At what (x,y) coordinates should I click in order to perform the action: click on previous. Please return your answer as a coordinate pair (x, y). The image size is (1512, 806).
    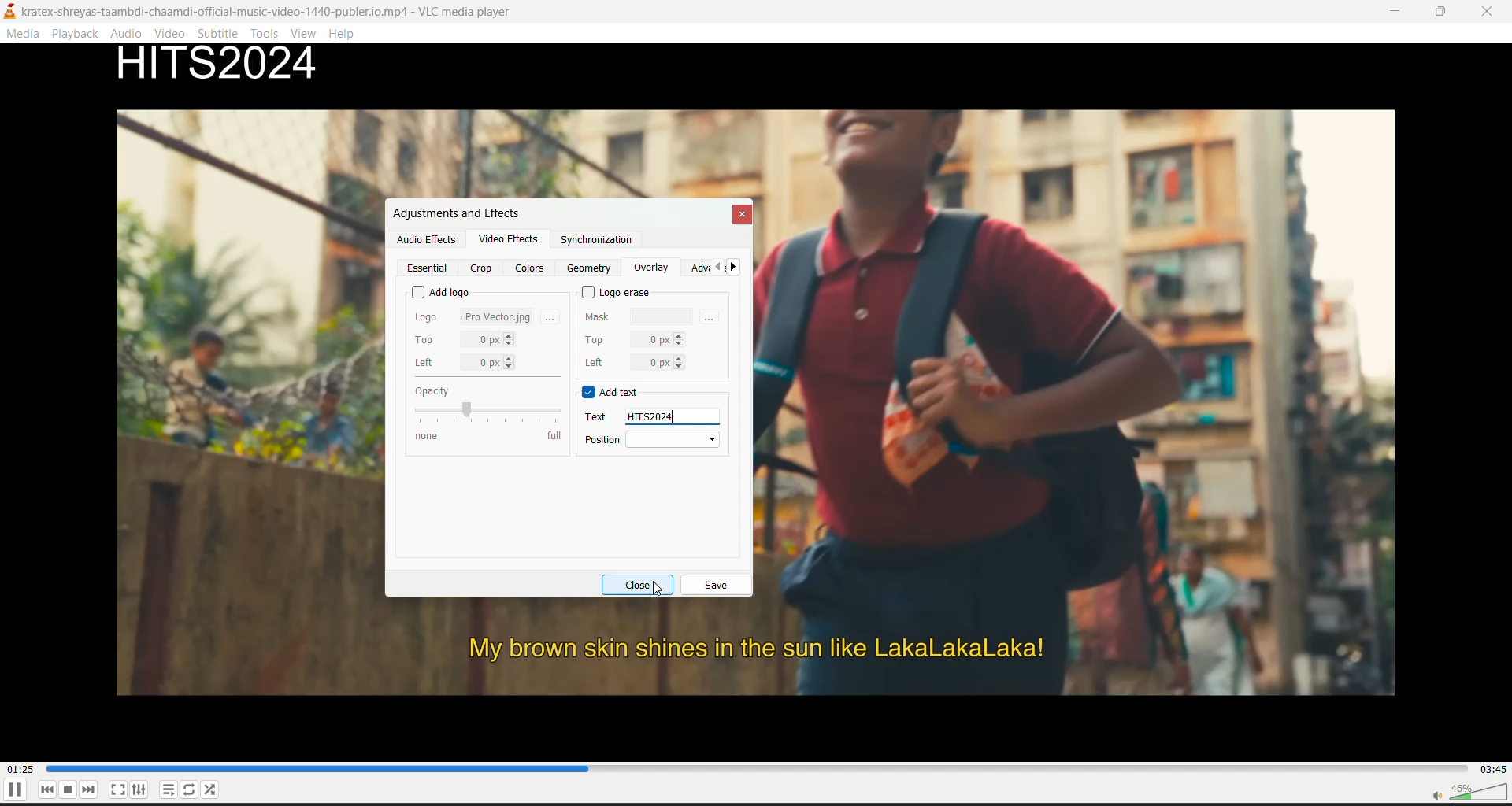
    Looking at the image, I should click on (717, 268).